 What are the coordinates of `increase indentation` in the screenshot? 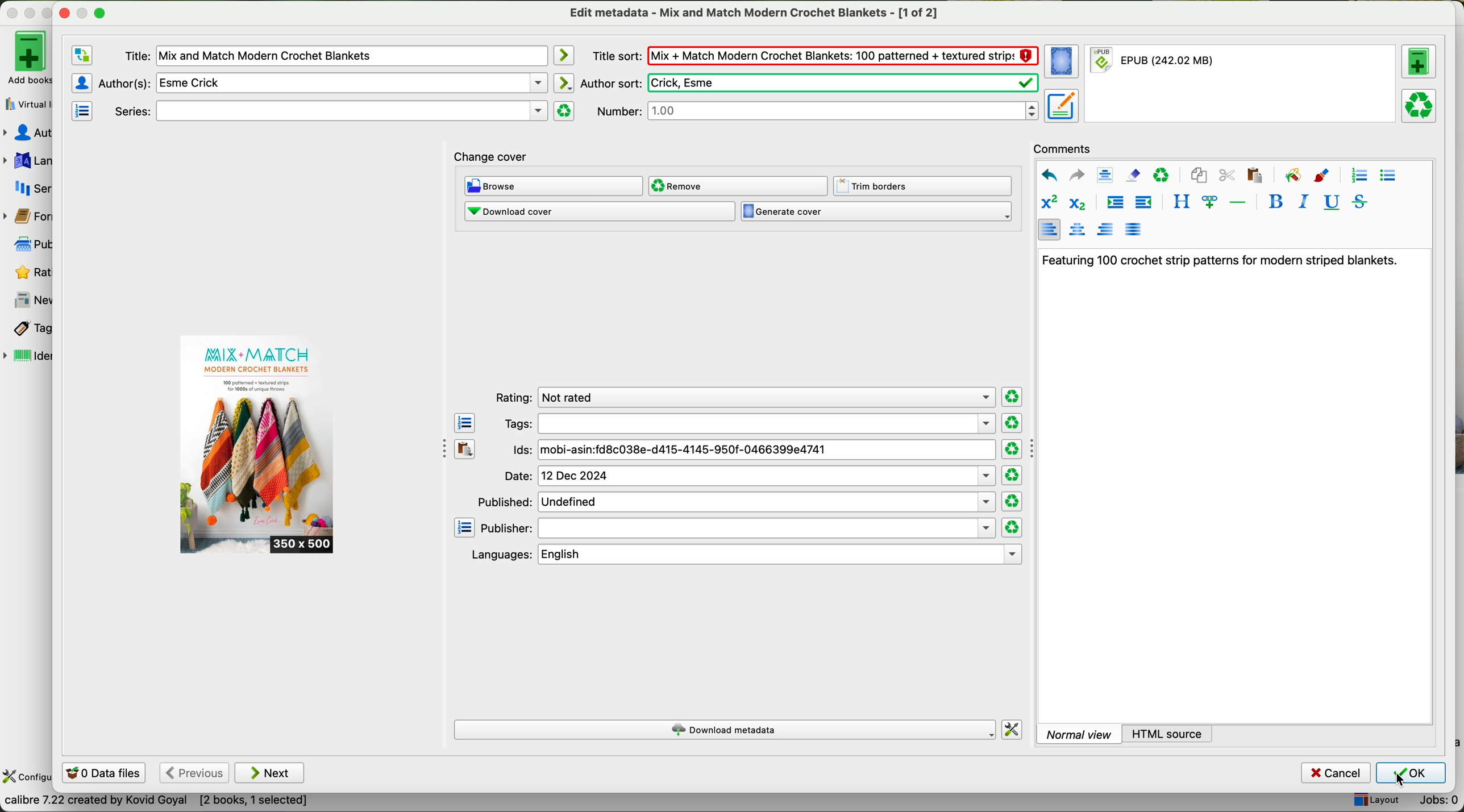 It's located at (1114, 204).